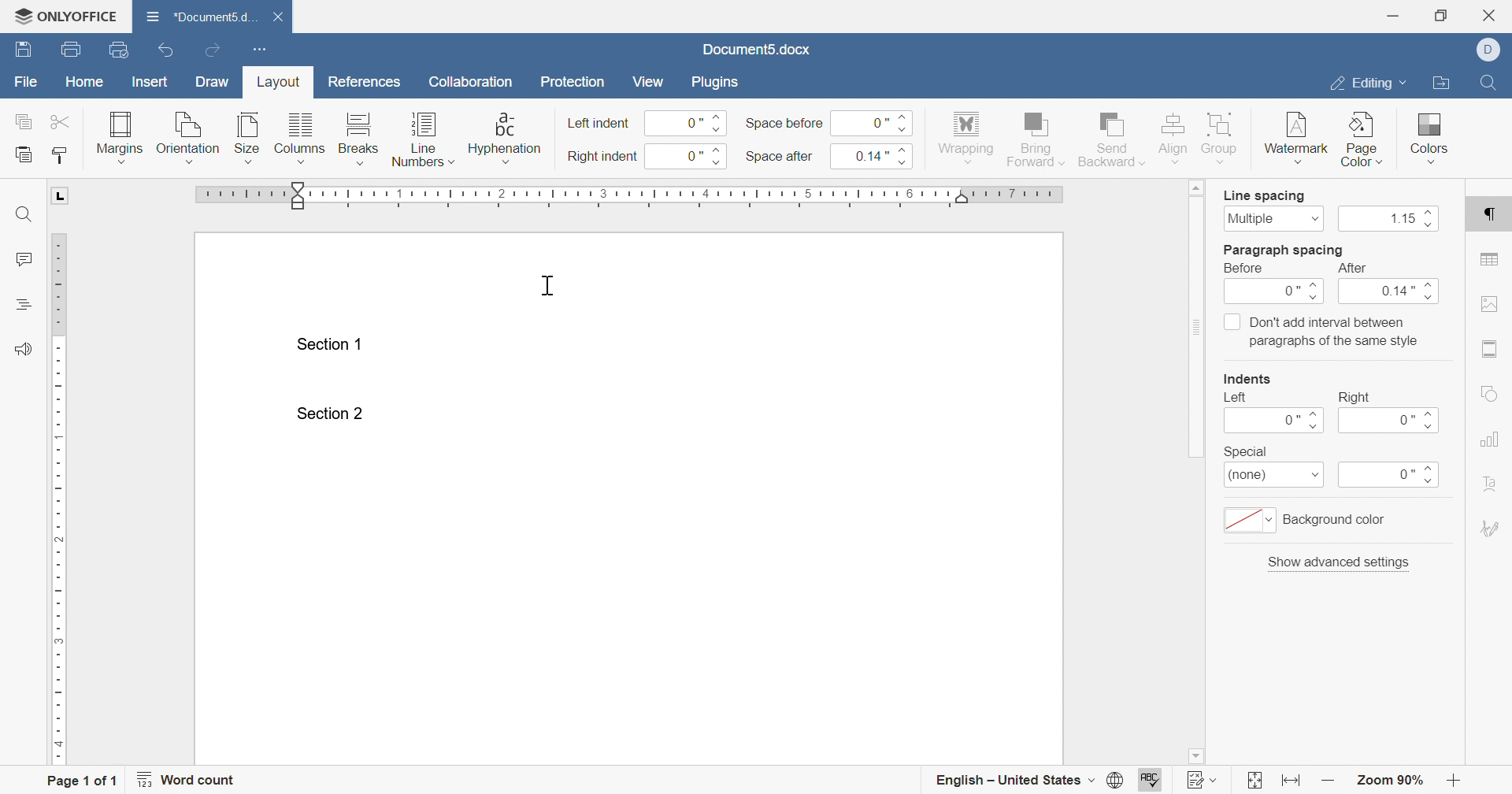  What do you see at coordinates (21, 305) in the screenshot?
I see `headings` at bounding box center [21, 305].